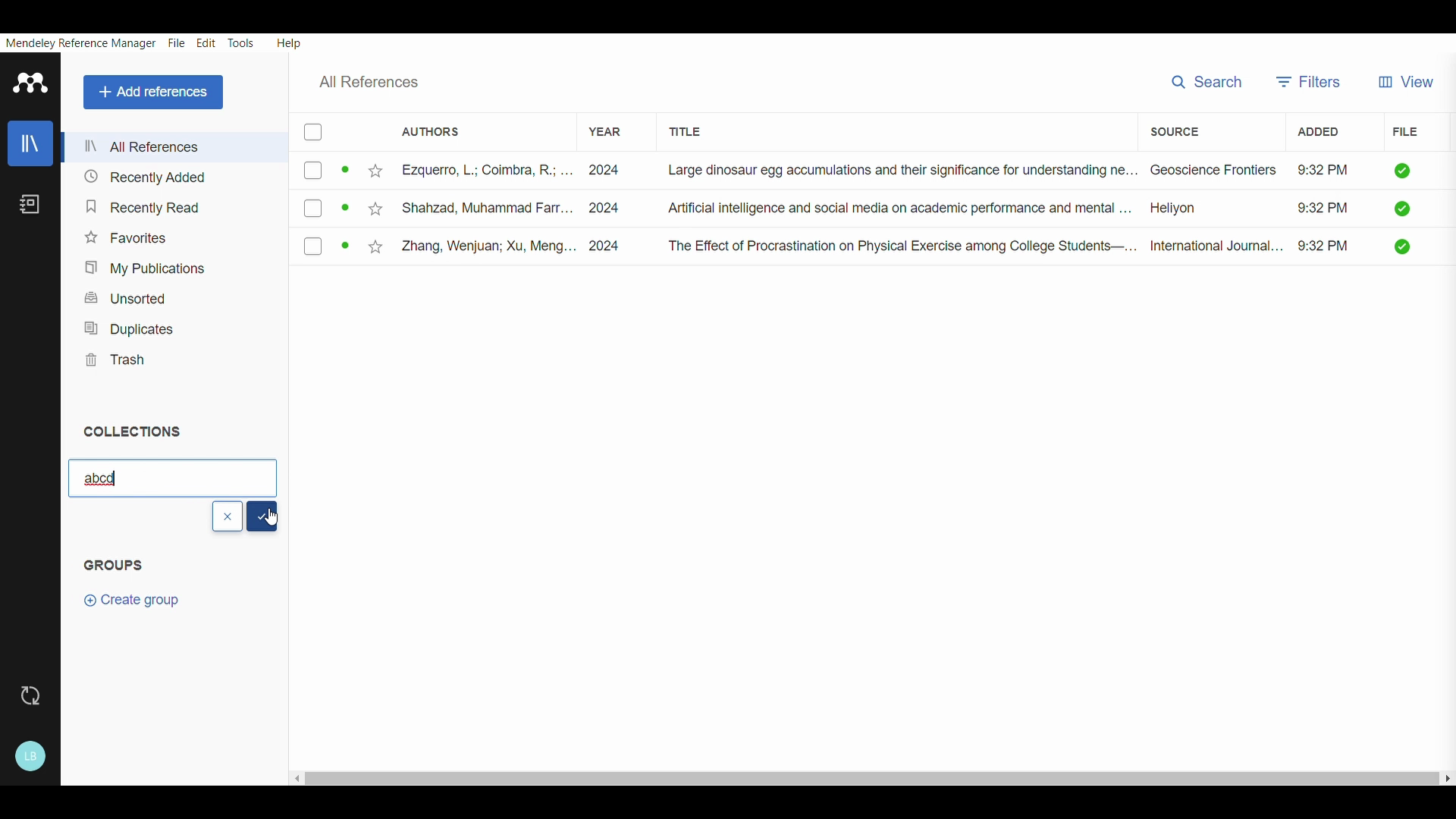 The width and height of the screenshot is (1456, 819). What do you see at coordinates (142, 177) in the screenshot?
I see `Recently Added` at bounding box center [142, 177].